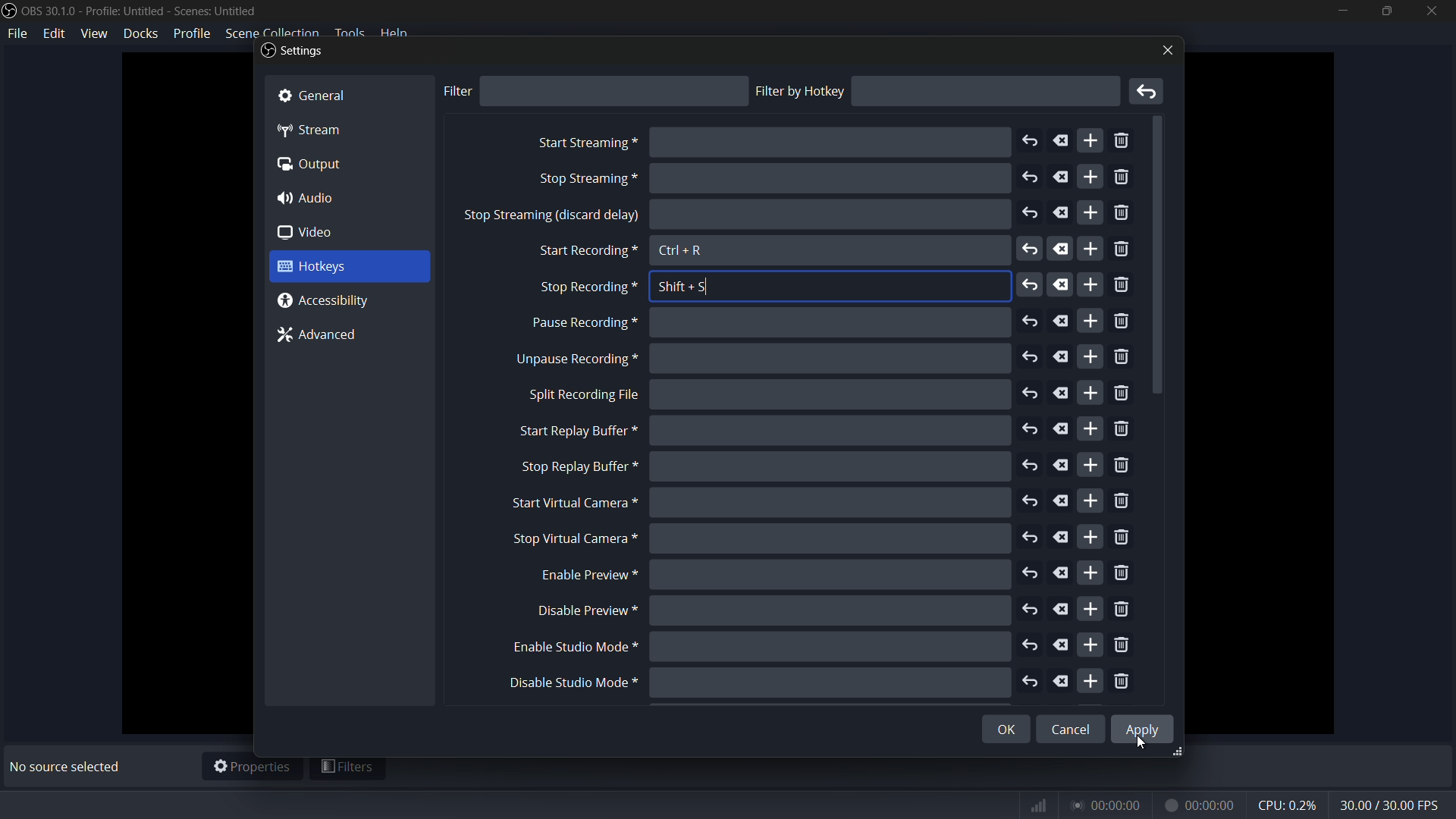 This screenshot has height=819, width=1456. What do you see at coordinates (1029, 393) in the screenshot?
I see `undo` at bounding box center [1029, 393].